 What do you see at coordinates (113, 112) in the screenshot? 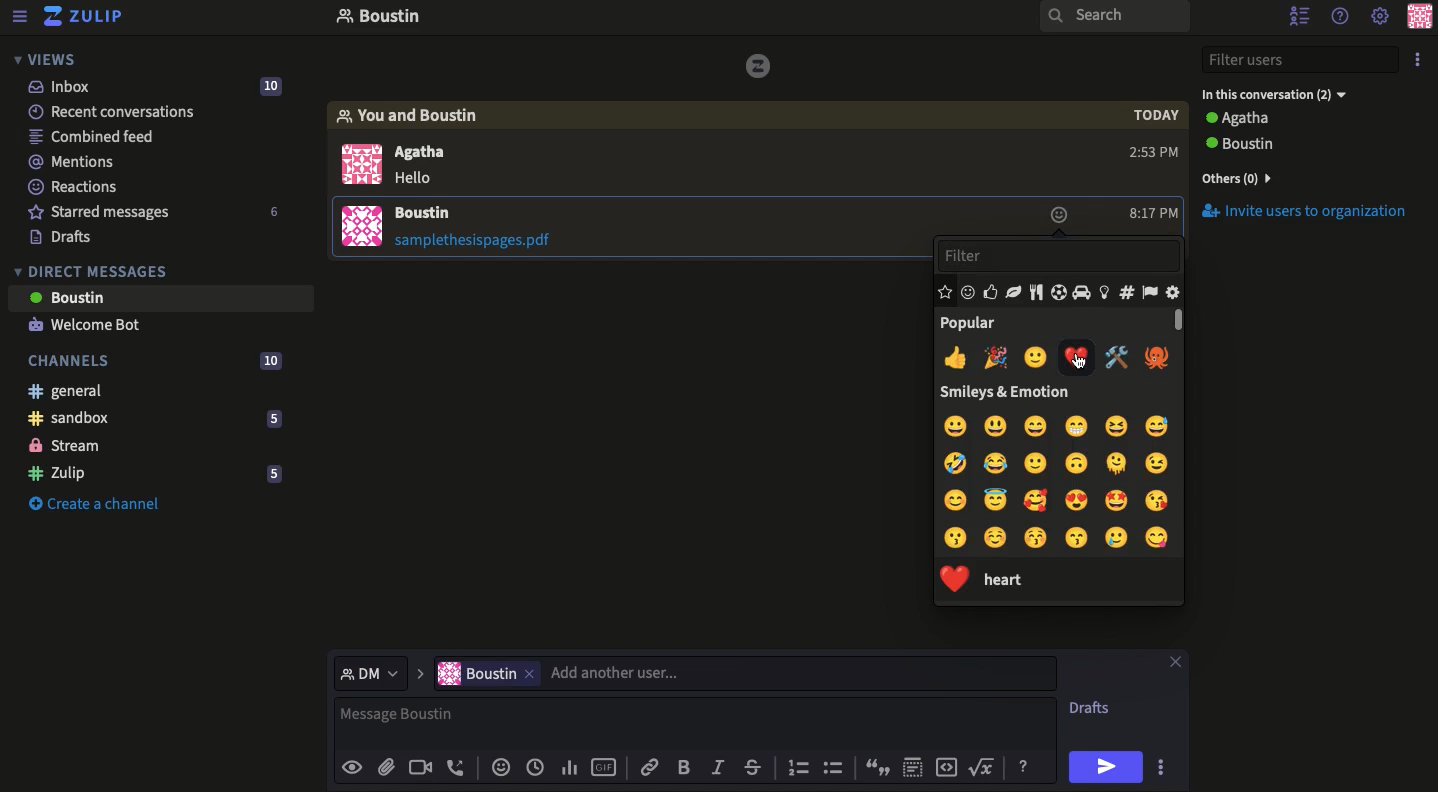
I see `Recent conversations` at bounding box center [113, 112].